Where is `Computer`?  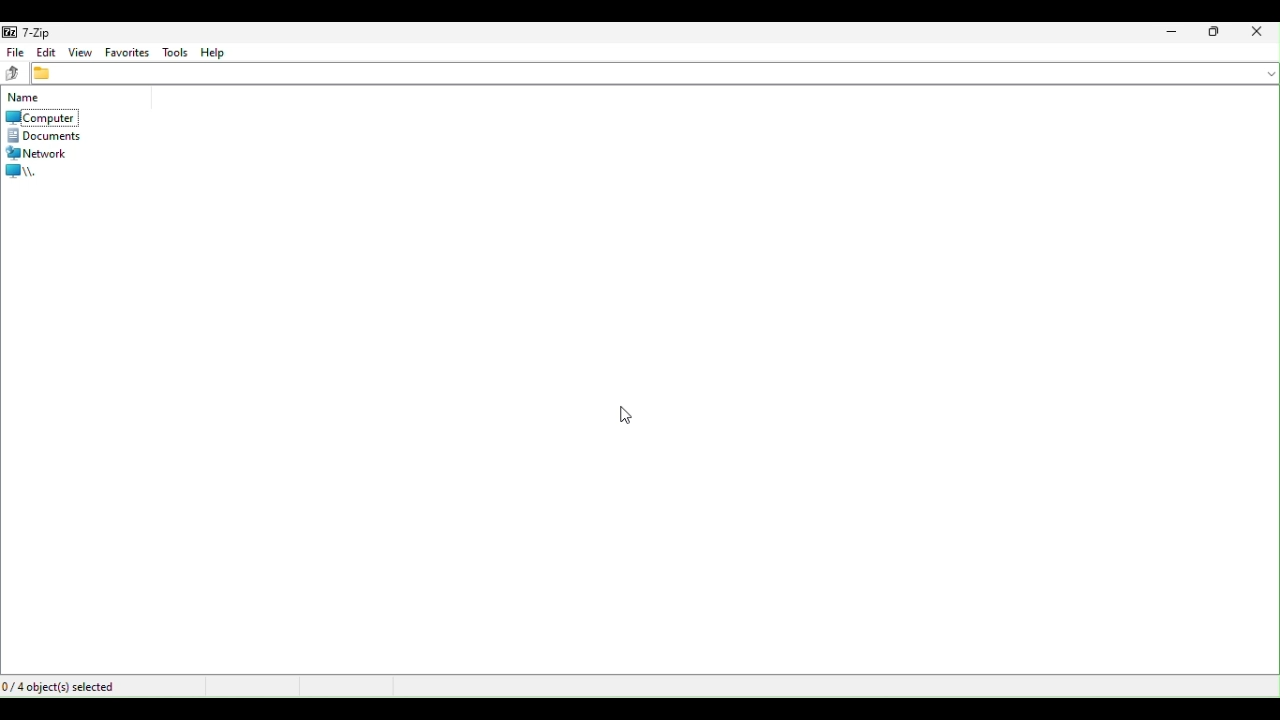
Computer is located at coordinates (40, 117).